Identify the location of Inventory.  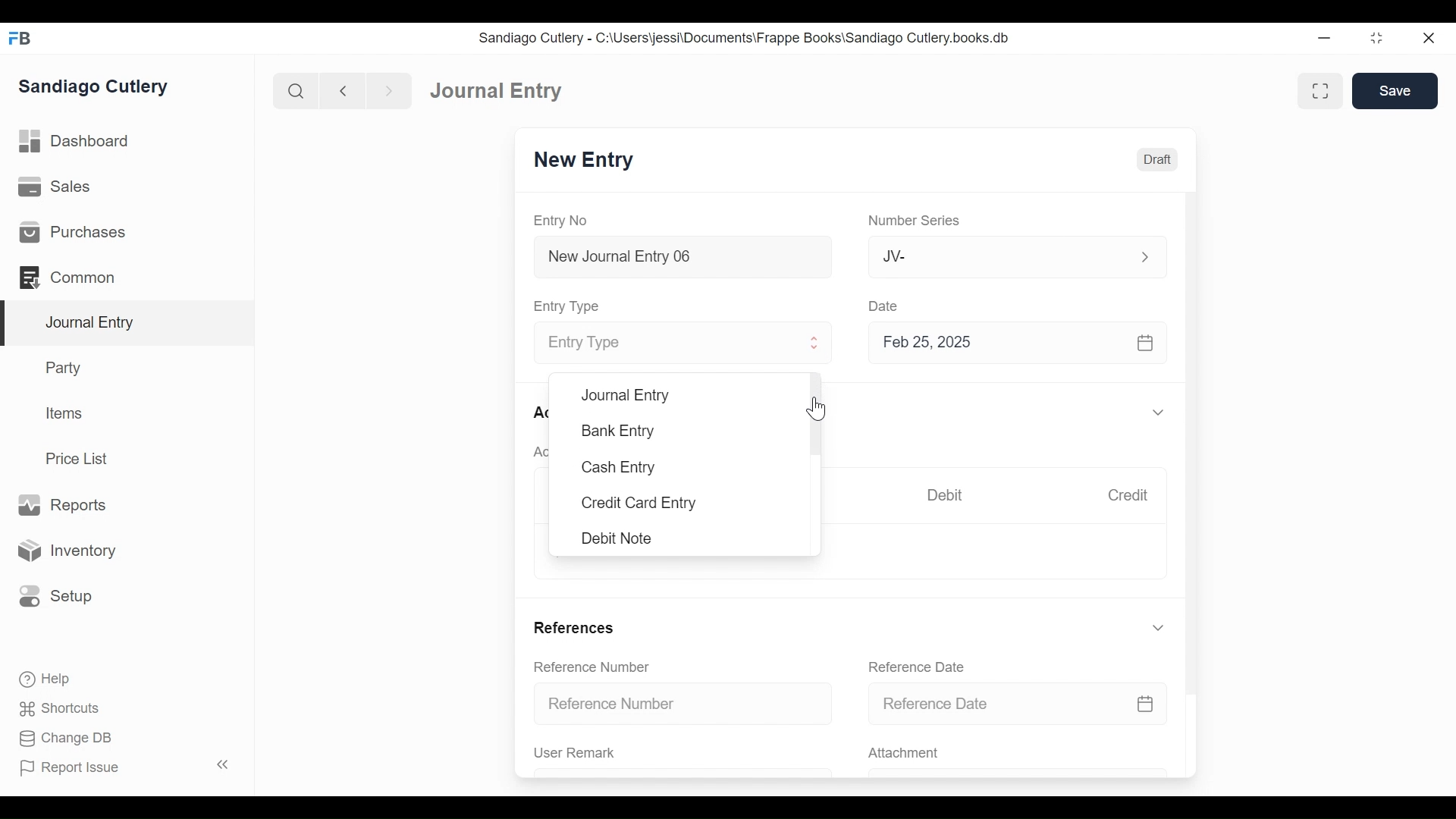
(64, 551).